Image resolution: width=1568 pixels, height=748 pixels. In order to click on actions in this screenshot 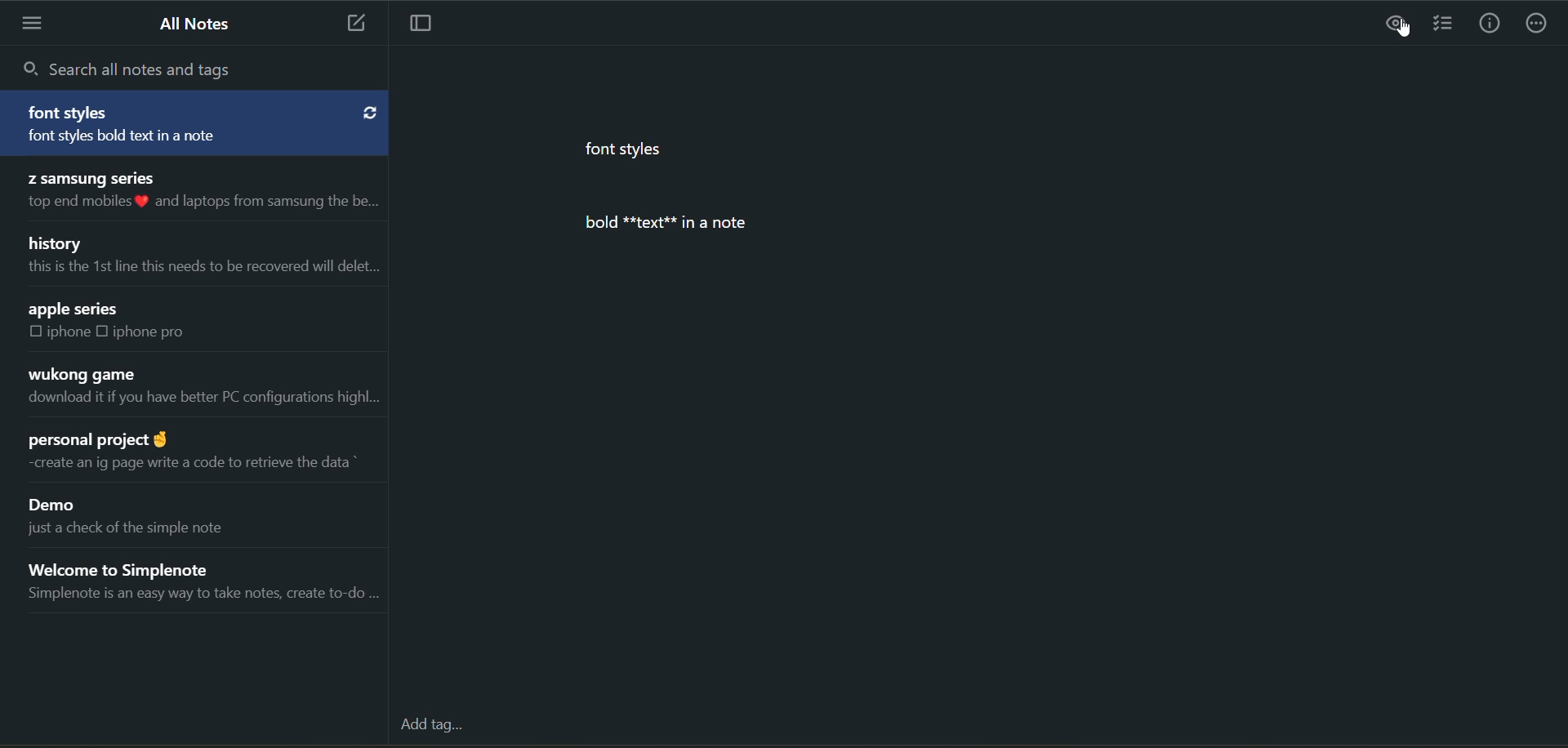, I will do `click(1537, 26)`.